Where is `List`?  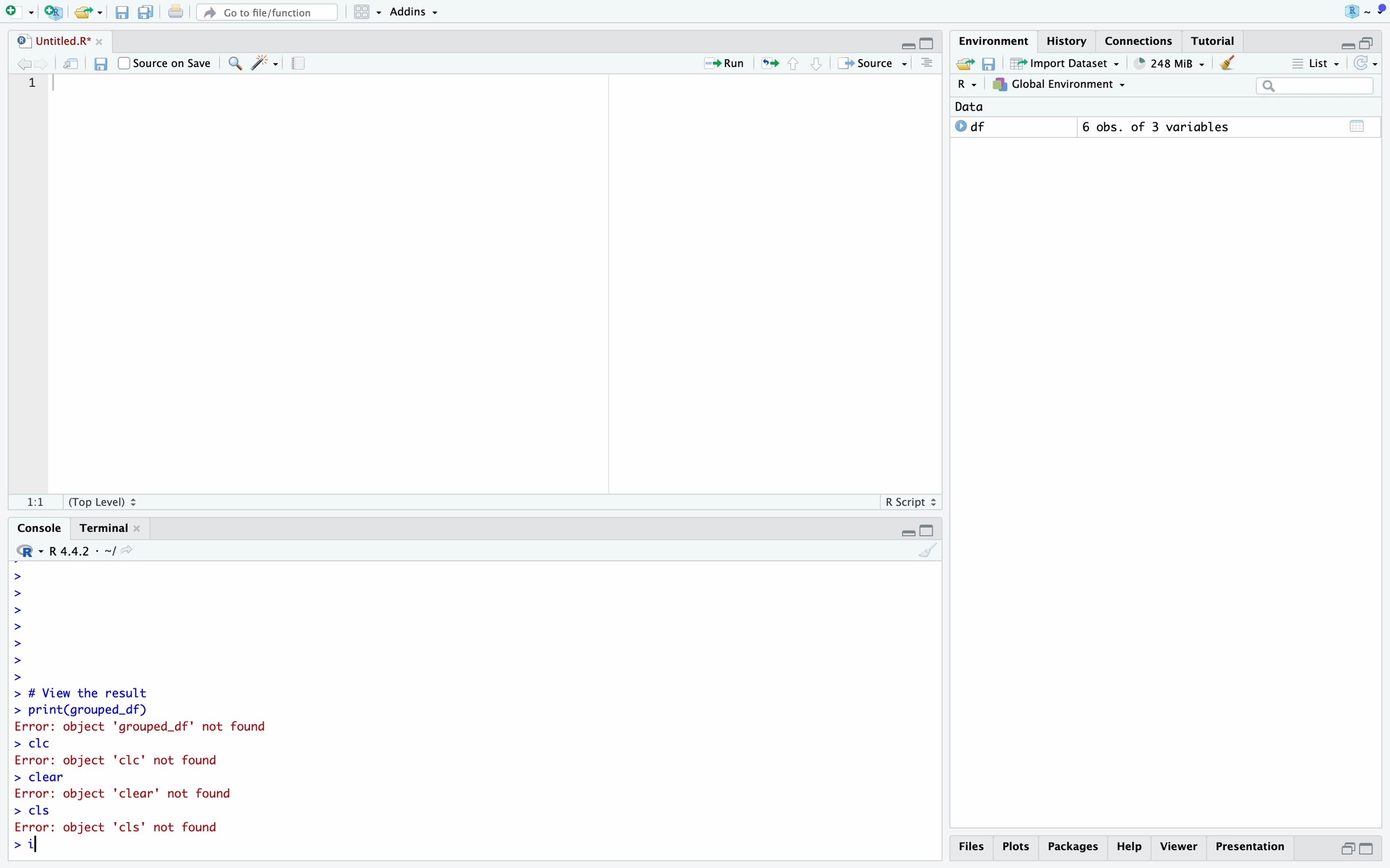
List is located at coordinates (1315, 63).